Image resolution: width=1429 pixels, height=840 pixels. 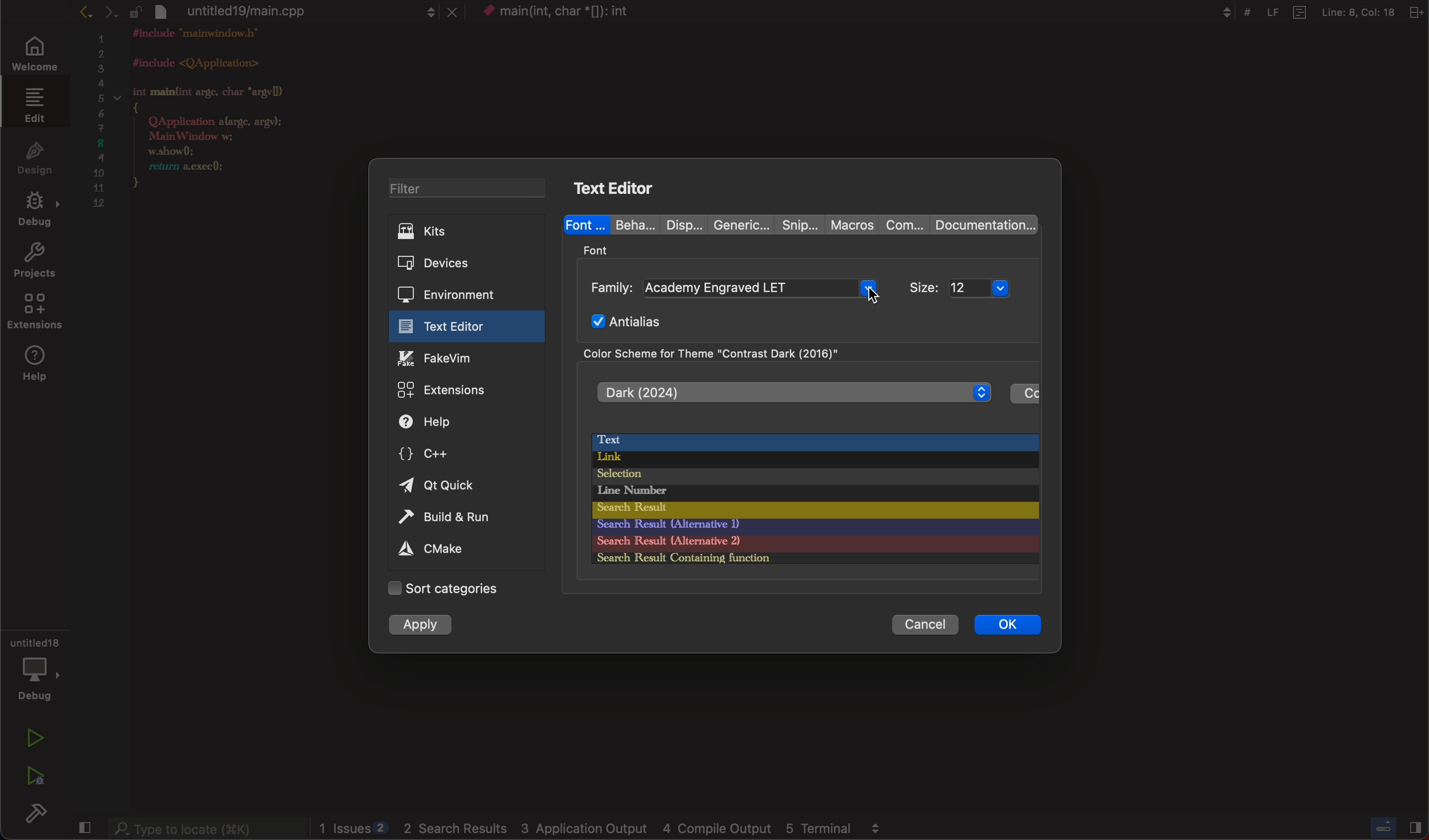 What do you see at coordinates (1006, 624) in the screenshot?
I see `ok` at bounding box center [1006, 624].